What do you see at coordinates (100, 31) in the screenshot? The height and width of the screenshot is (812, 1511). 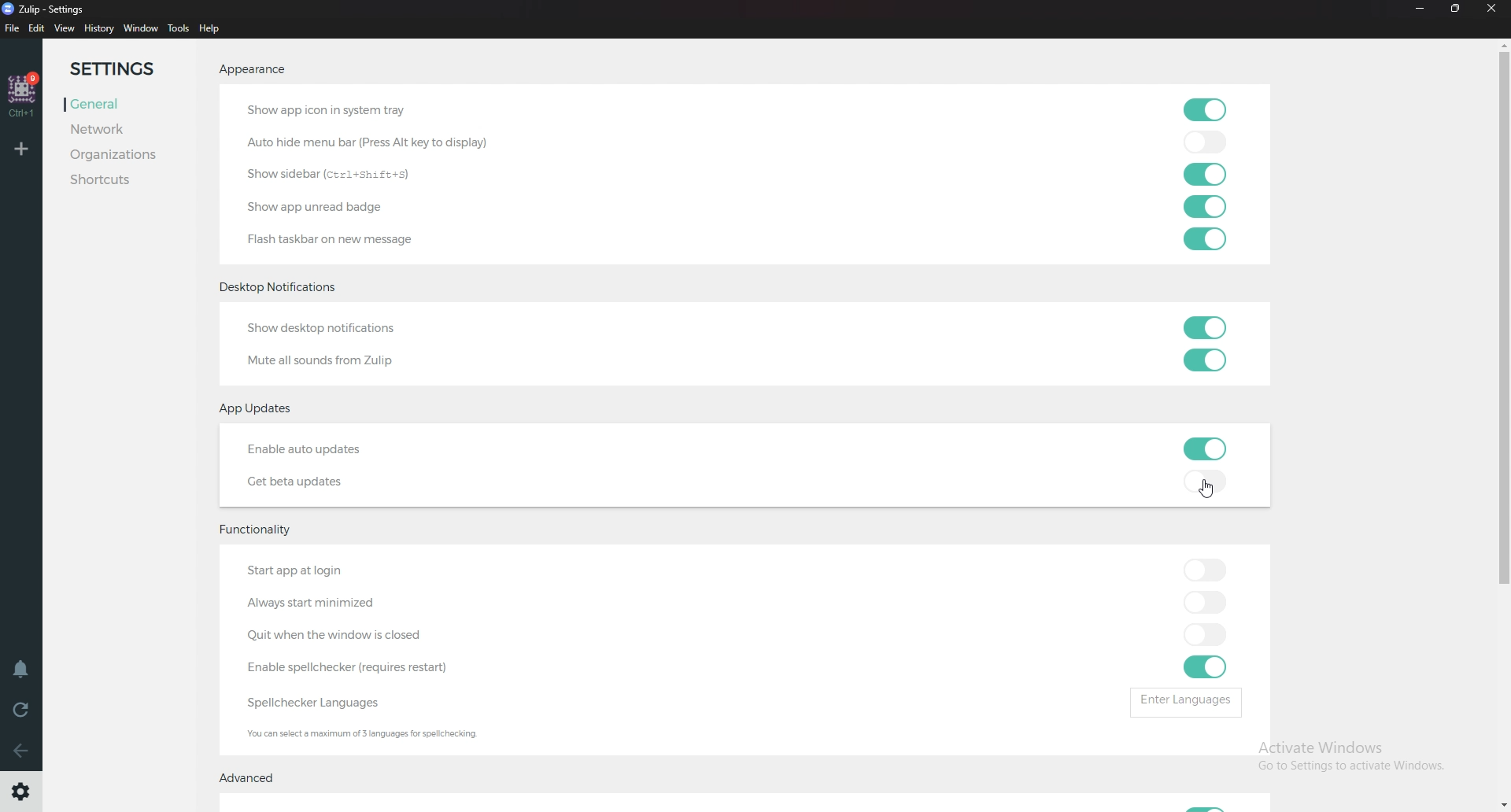 I see `History` at bounding box center [100, 31].